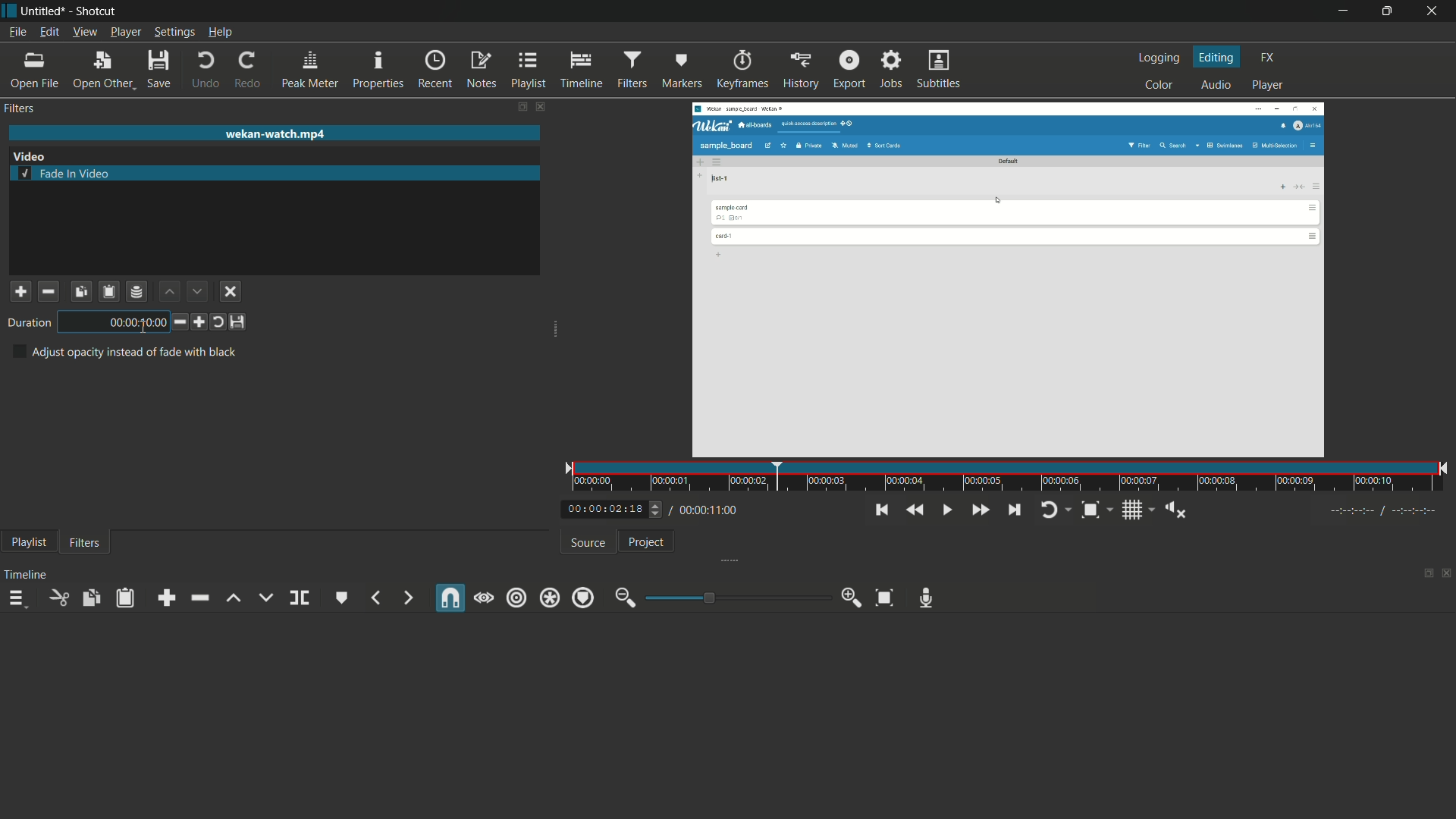 The width and height of the screenshot is (1456, 819). I want to click on save, so click(158, 68).